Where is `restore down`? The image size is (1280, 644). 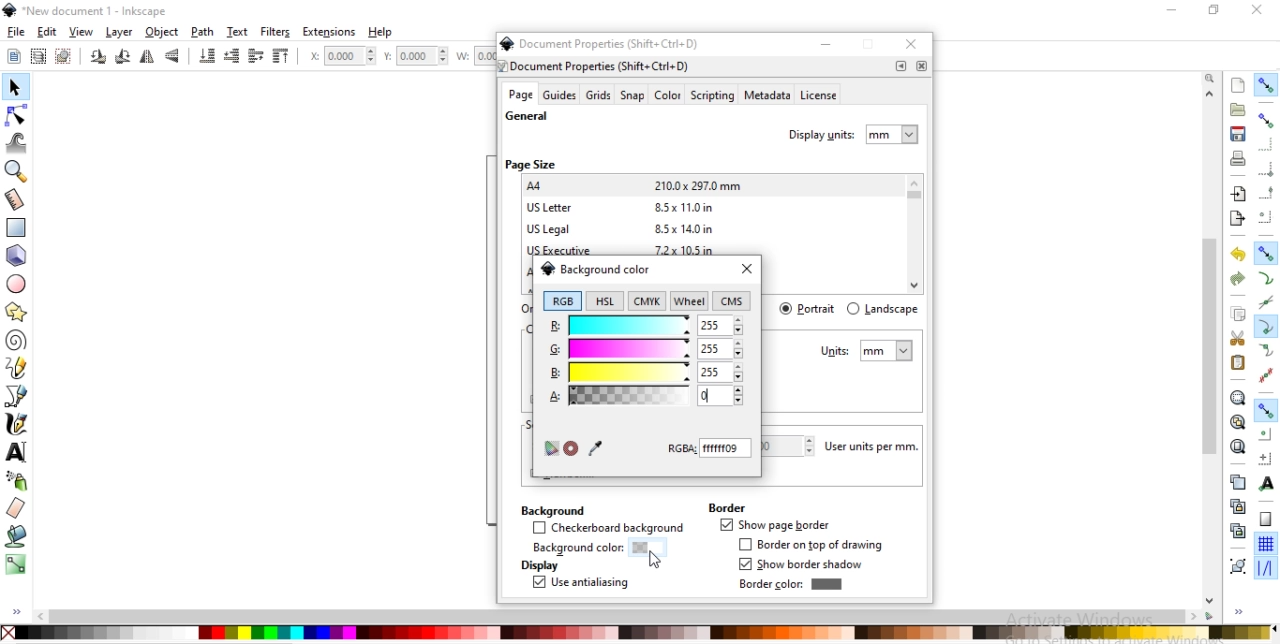 restore down is located at coordinates (870, 46).